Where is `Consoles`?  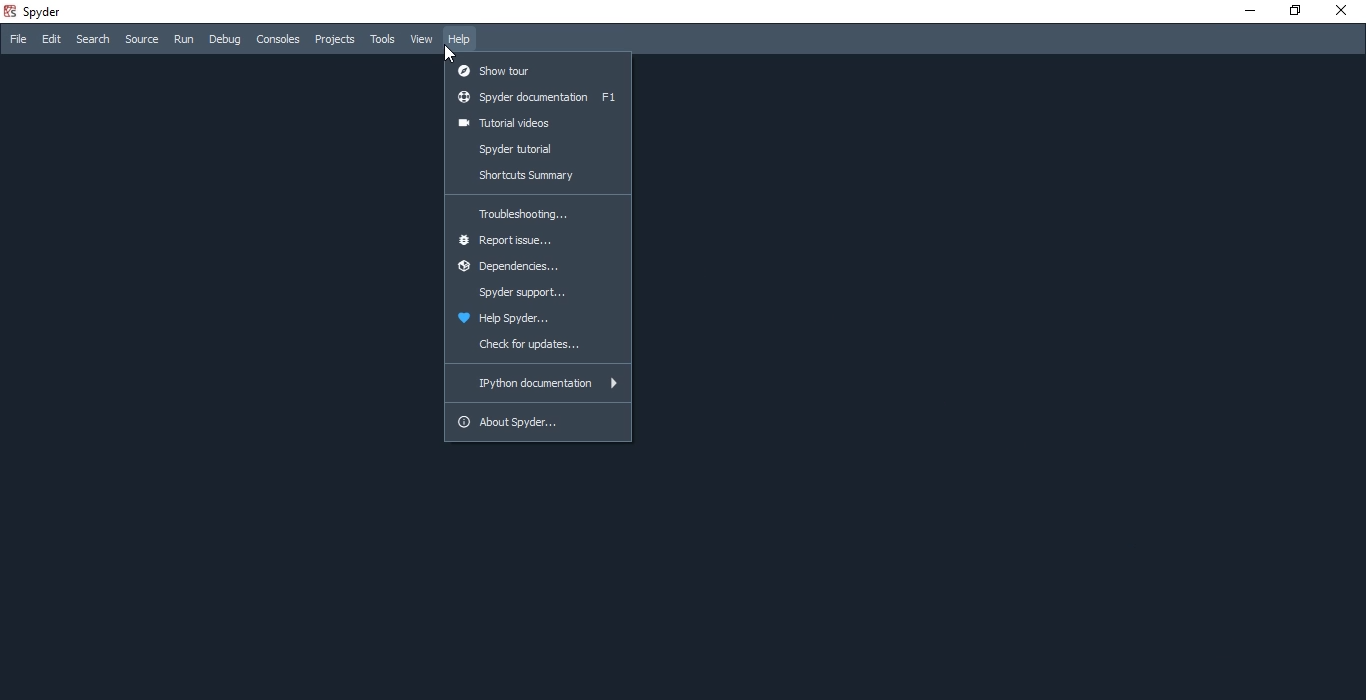
Consoles is located at coordinates (278, 41).